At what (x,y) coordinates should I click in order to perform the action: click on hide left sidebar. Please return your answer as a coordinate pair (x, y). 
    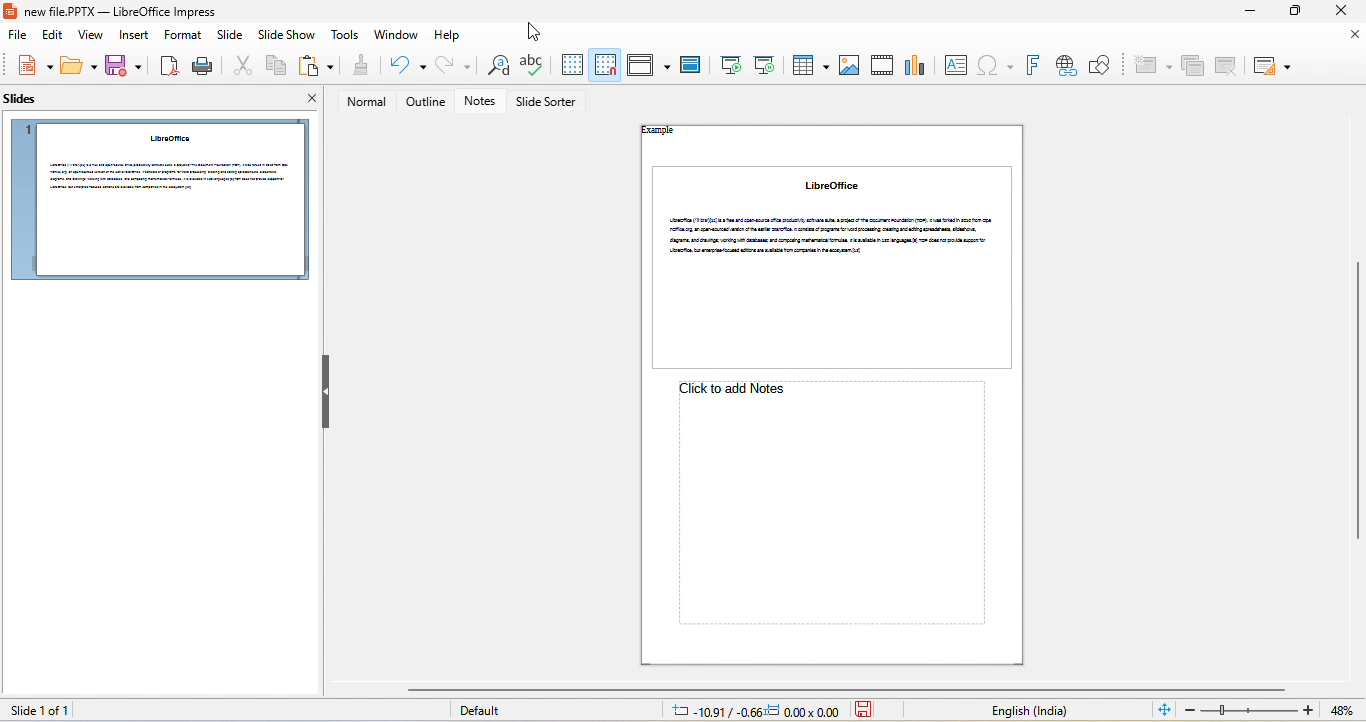
    Looking at the image, I should click on (326, 391).